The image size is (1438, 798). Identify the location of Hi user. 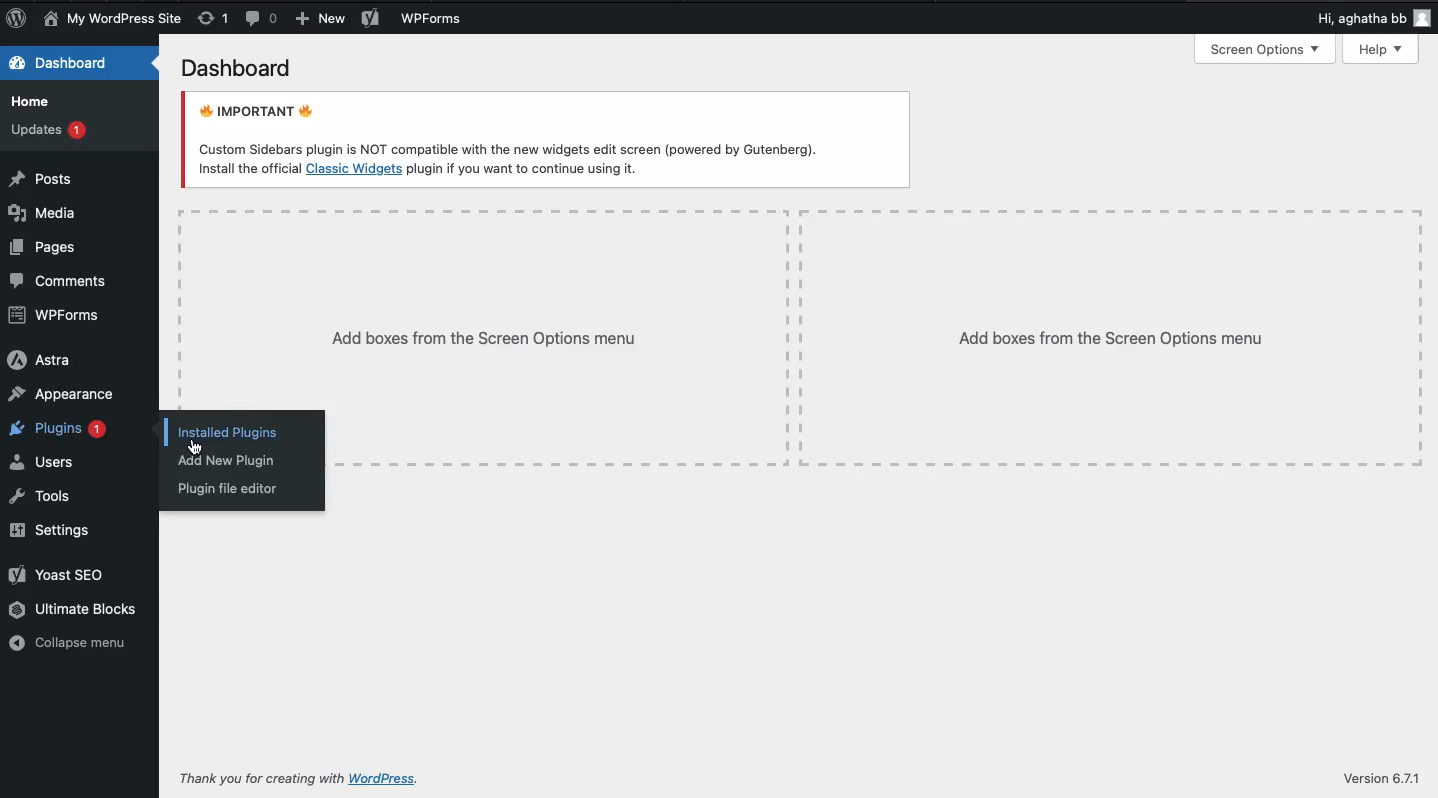
(1372, 20).